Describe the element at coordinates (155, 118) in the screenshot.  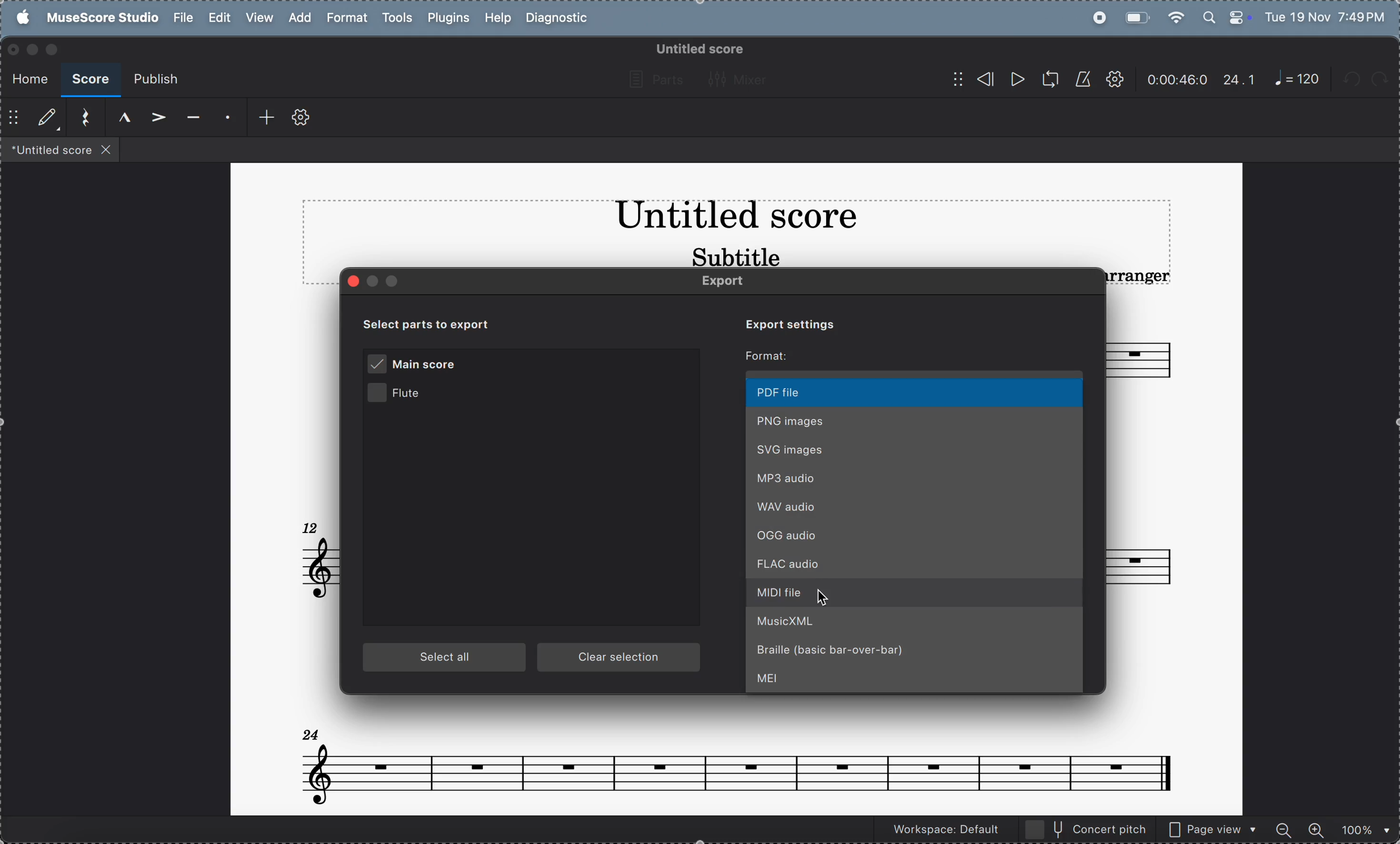
I see `accent` at that location.